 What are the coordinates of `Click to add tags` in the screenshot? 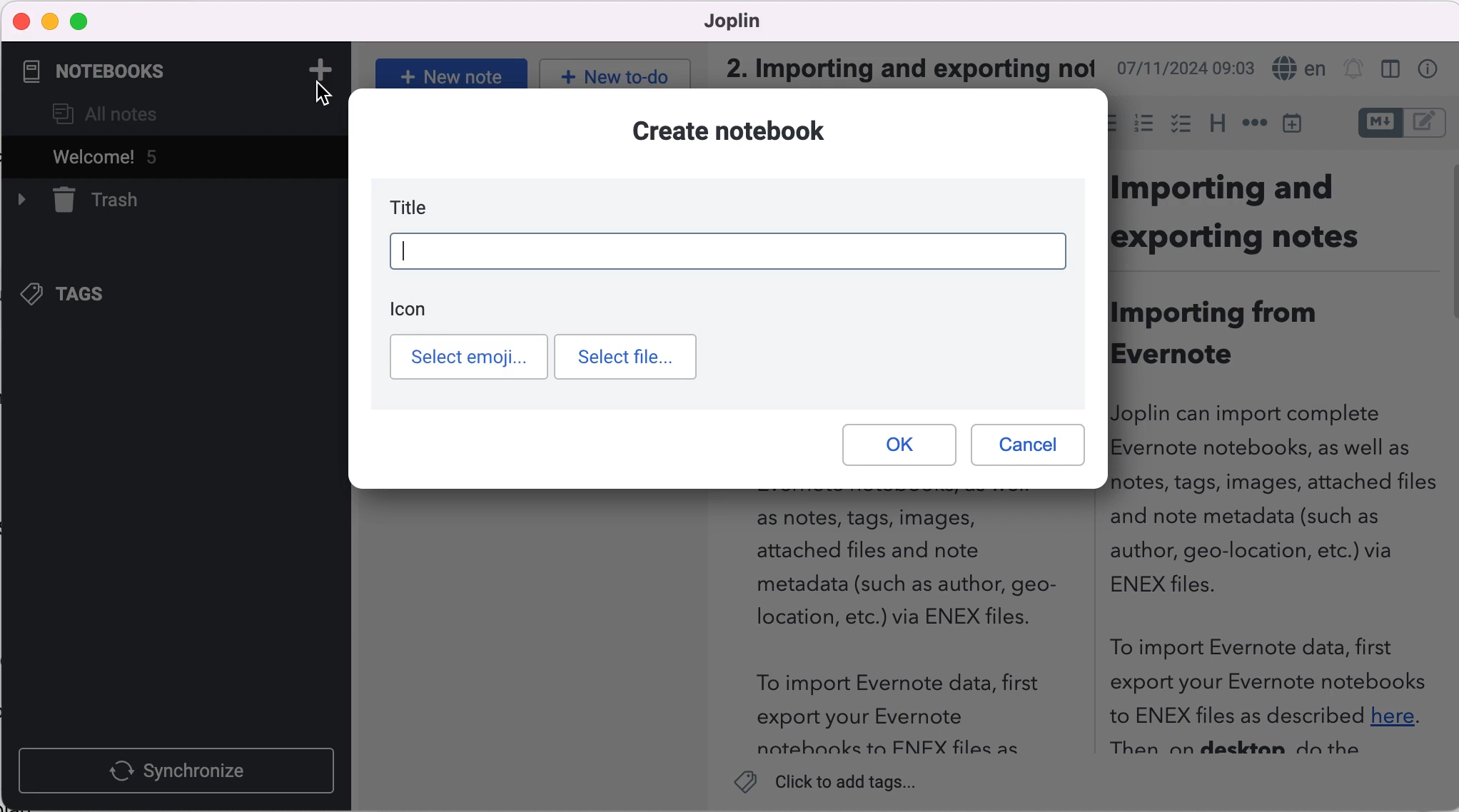 It's located at (842, 786).